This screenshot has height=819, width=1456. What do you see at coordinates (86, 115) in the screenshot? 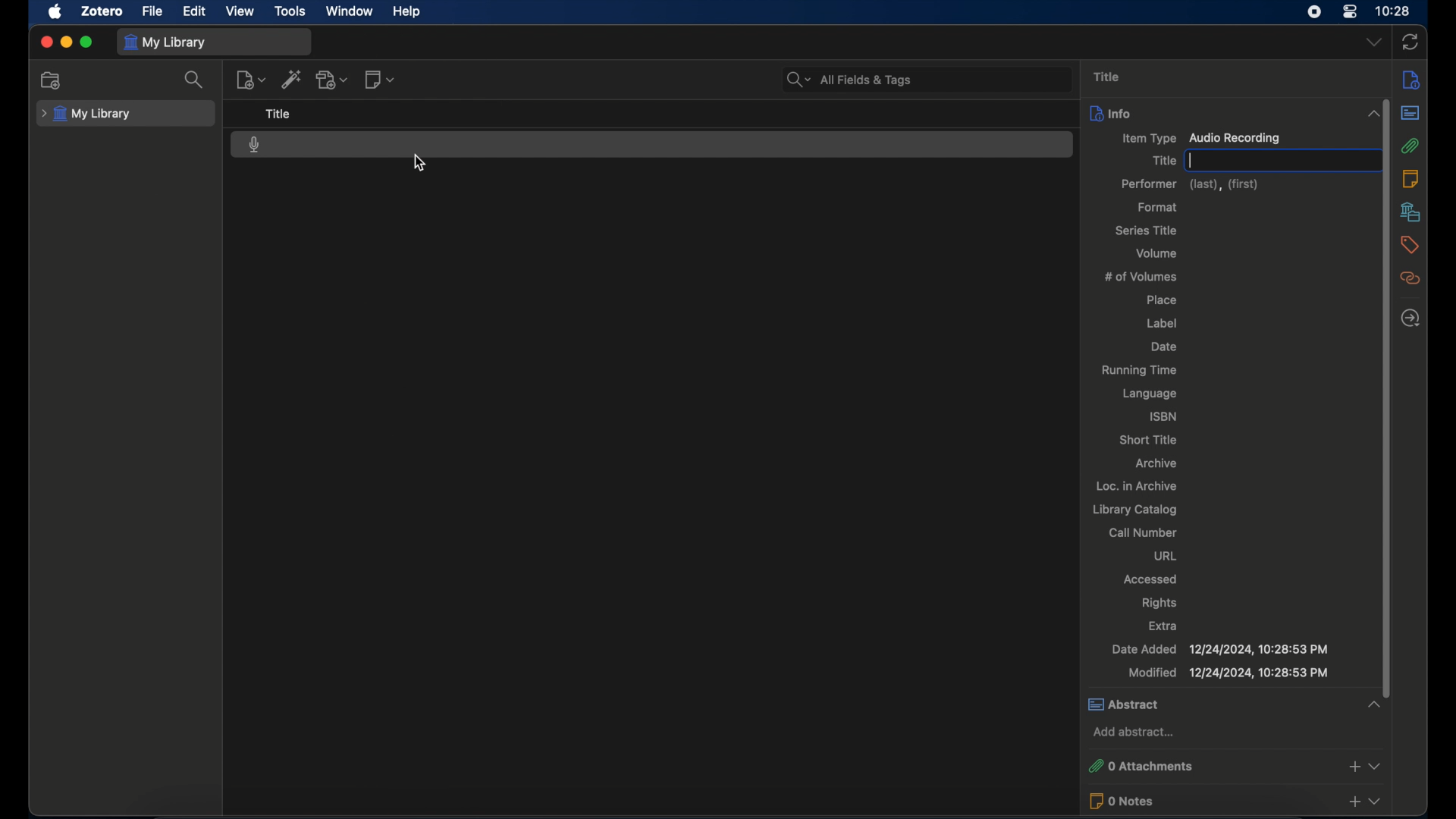
I see `my library` at bounding box center [86, 115].